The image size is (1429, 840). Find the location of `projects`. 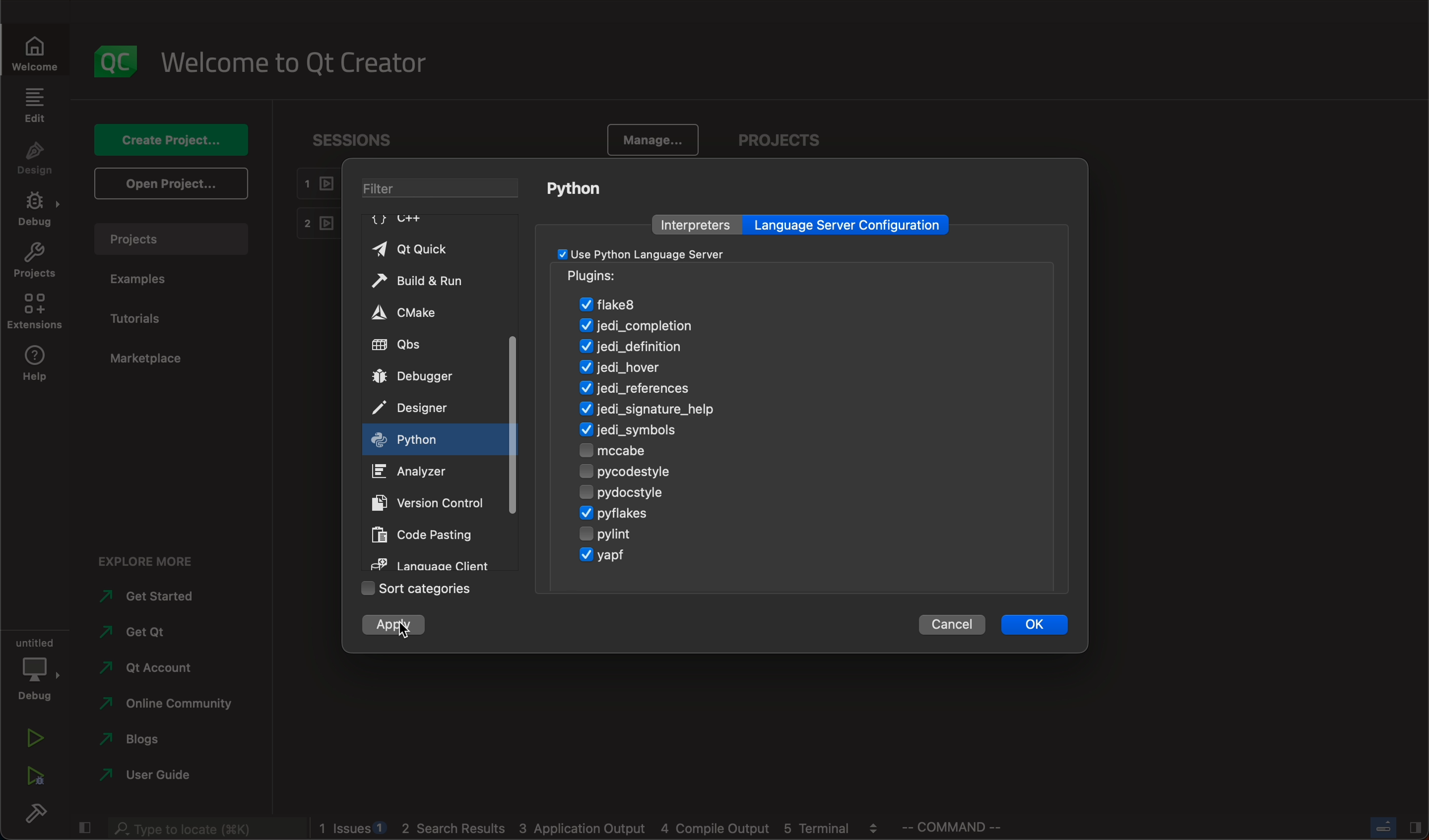

projects is located at coordinates (33, 261).